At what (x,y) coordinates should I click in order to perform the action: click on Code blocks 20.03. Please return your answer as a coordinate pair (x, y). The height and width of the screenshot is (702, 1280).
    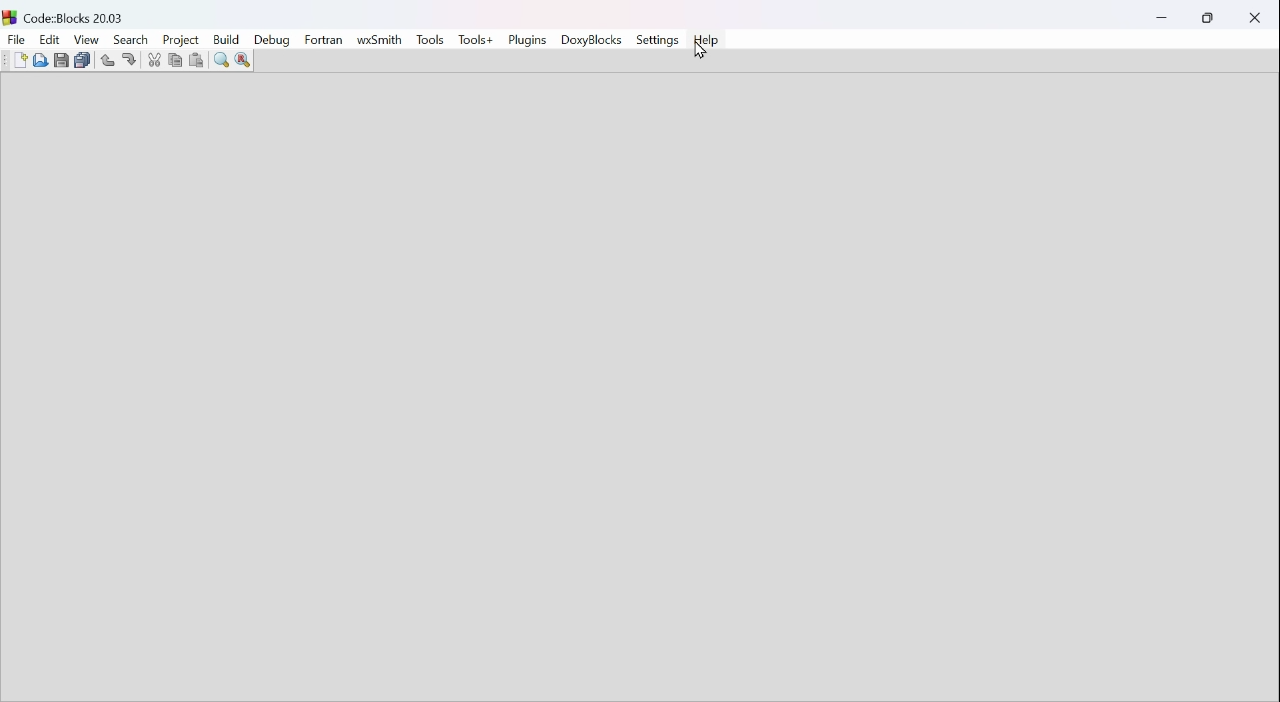
    Looking at the image, I should click on (73, 15).